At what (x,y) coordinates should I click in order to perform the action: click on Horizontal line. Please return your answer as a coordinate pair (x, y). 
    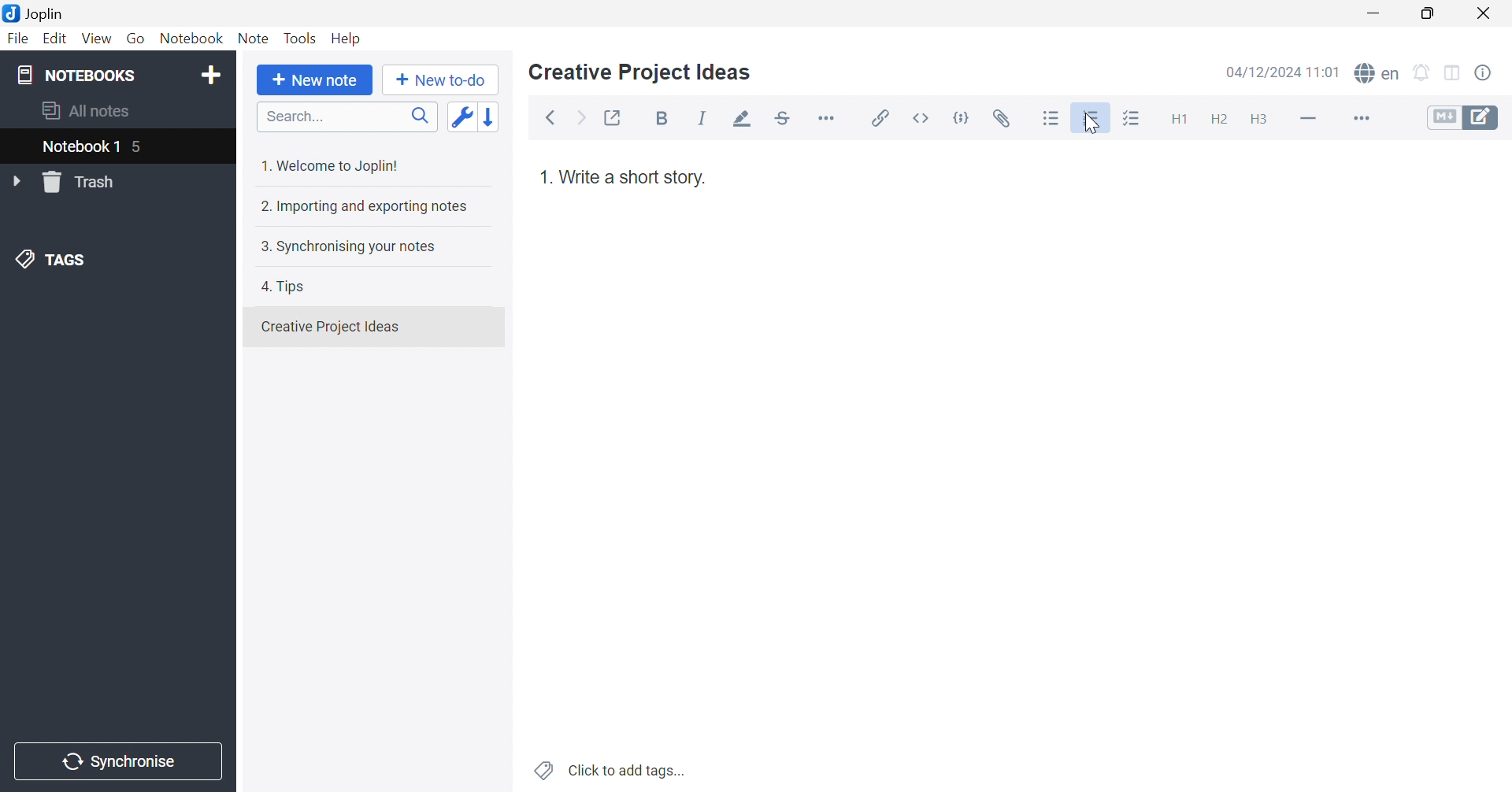
    Looking at the image, I should click on (1308, 119).